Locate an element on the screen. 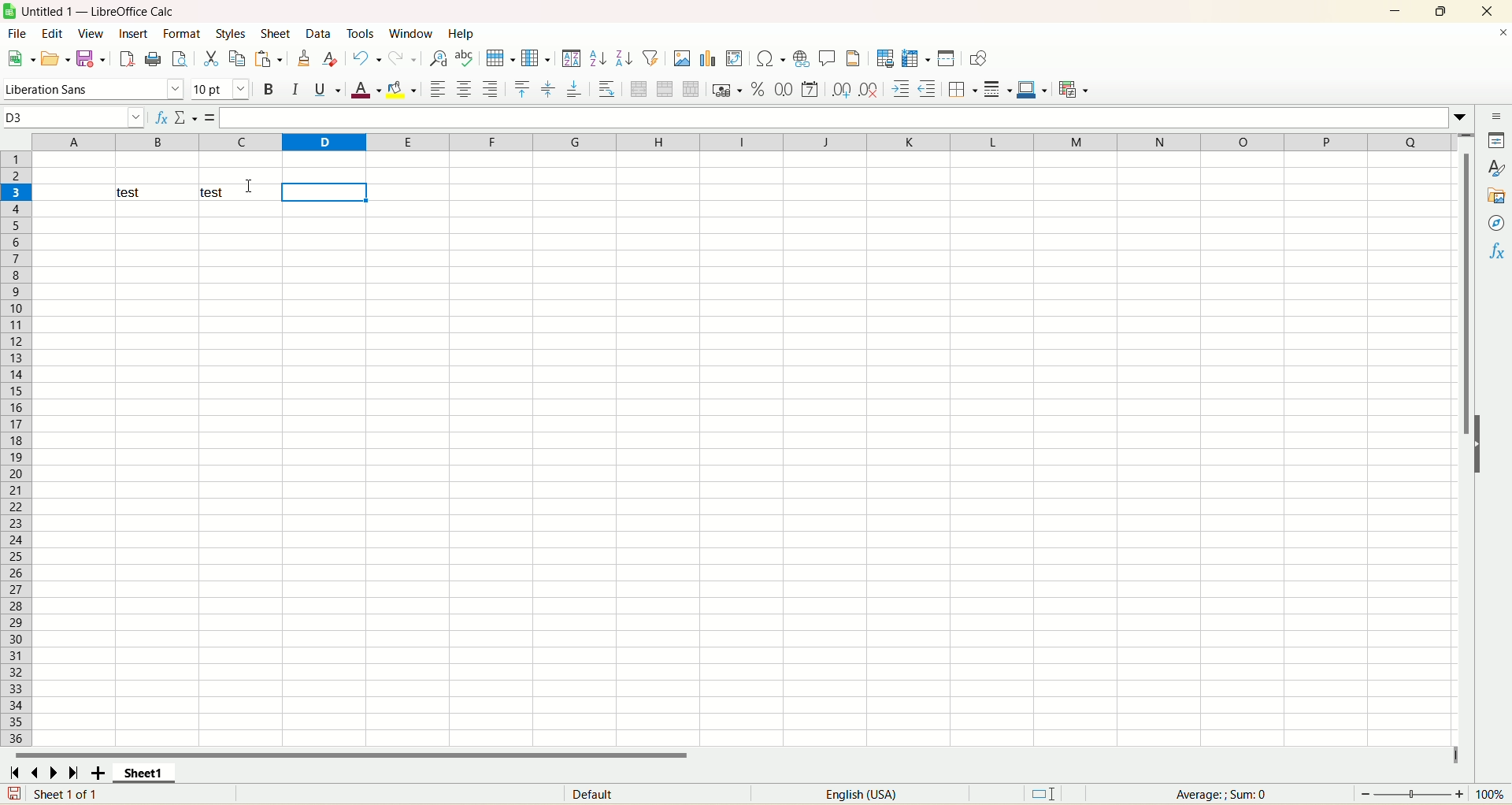 The height and width of the screenshot is (805, 1512). active cell is located at coordinates (324, 192).